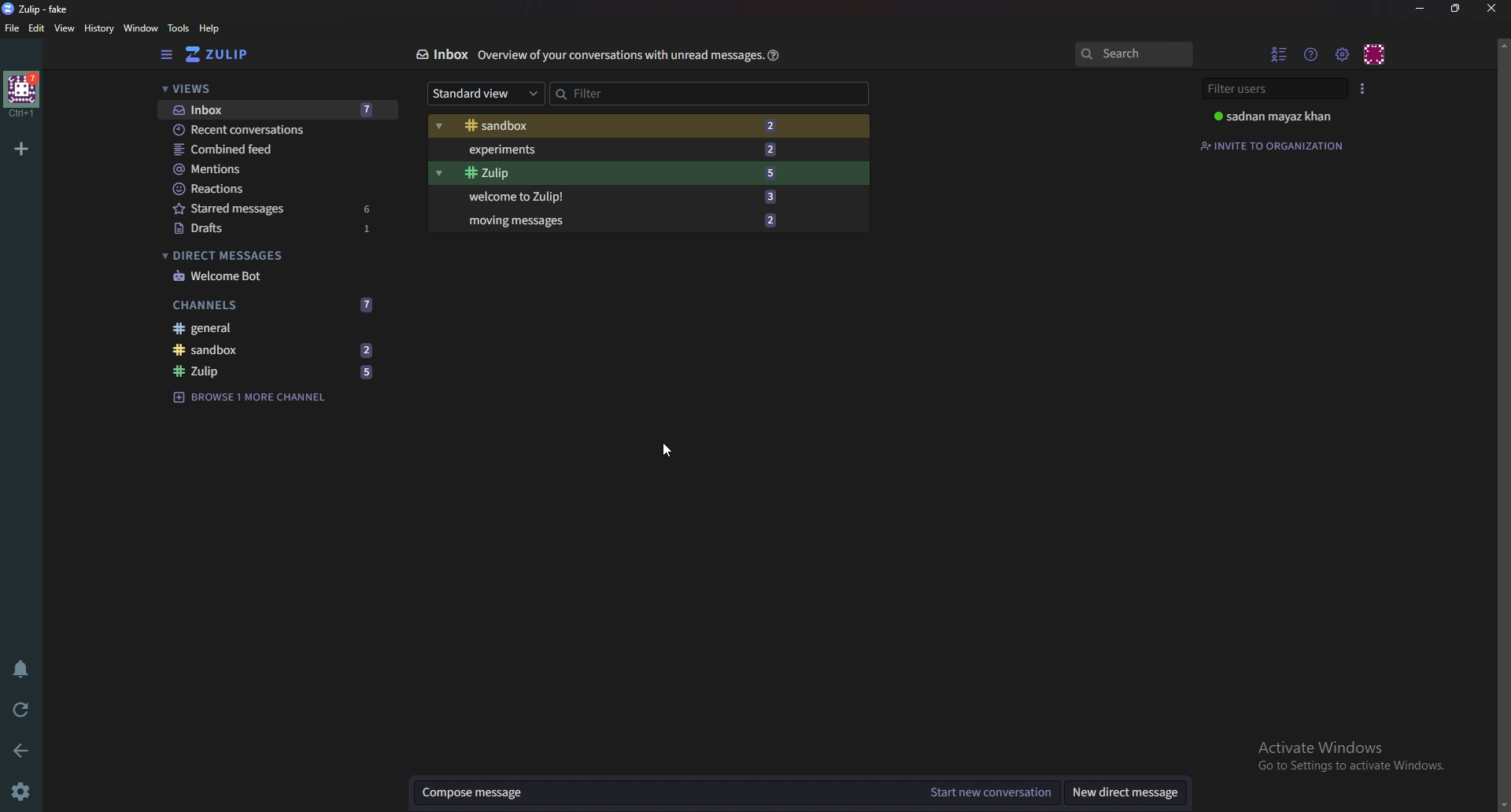 Image resolution: width=1511 pixels, height=812 pixels. Describe the element at coordinates (222, 54) in the screenshot. I see `ZULIP` at that location.